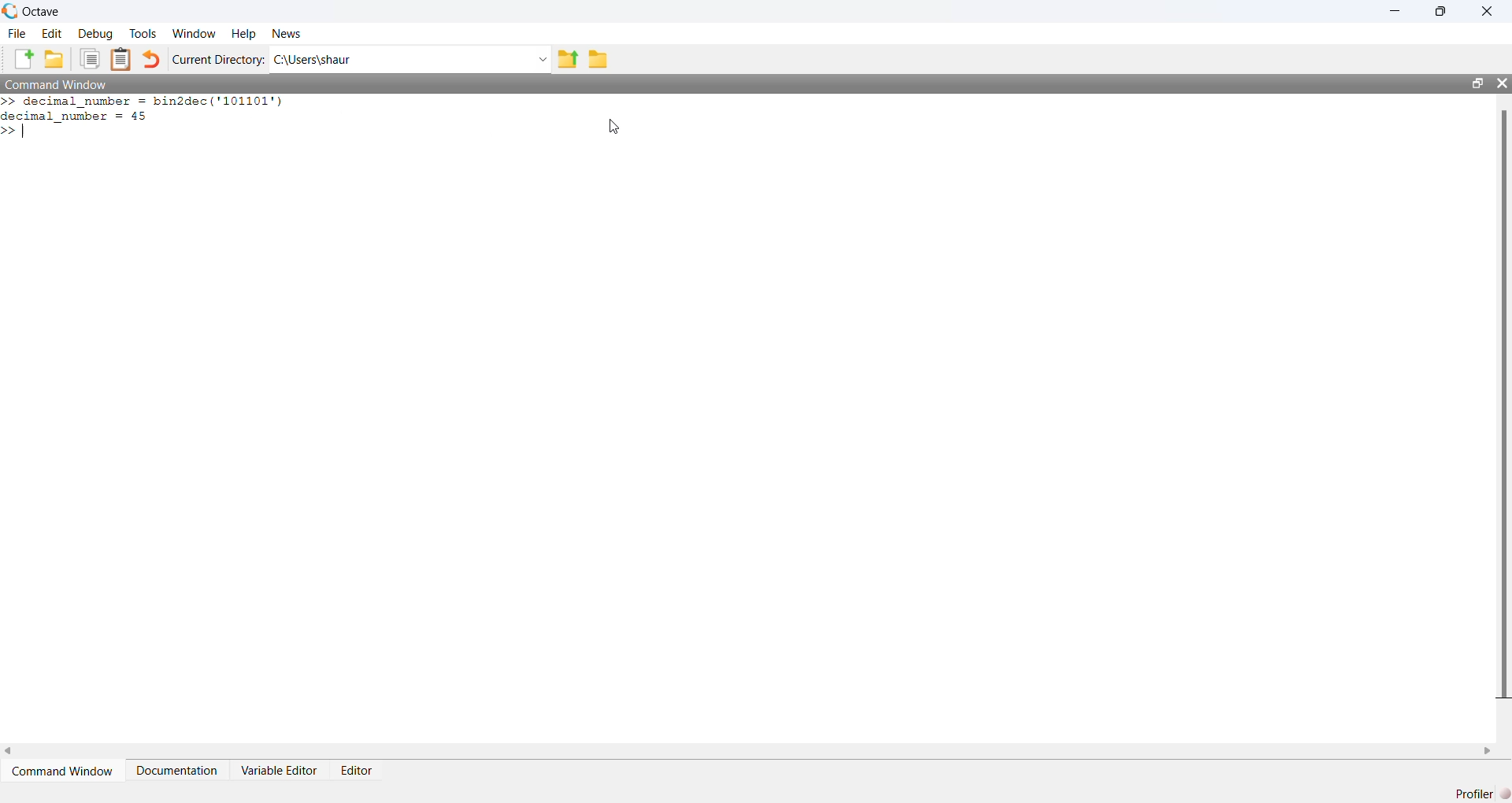  What do you see at coordinates (154, 102) in the screenshot?
I see `decimal_number = bin2dec('101101')` at bounding box center [154, 102].